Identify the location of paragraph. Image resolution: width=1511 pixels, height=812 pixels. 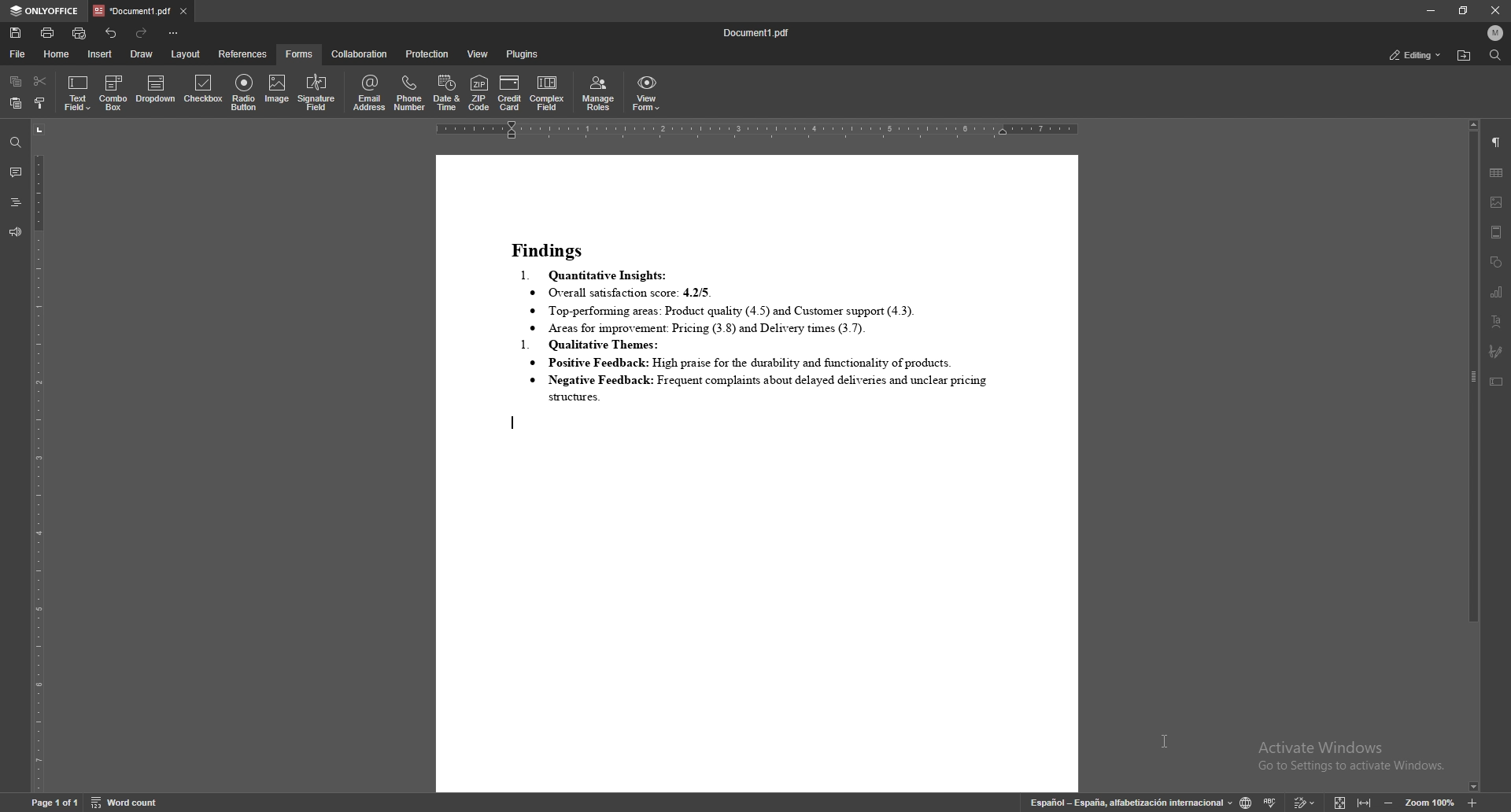
(1495, 142).